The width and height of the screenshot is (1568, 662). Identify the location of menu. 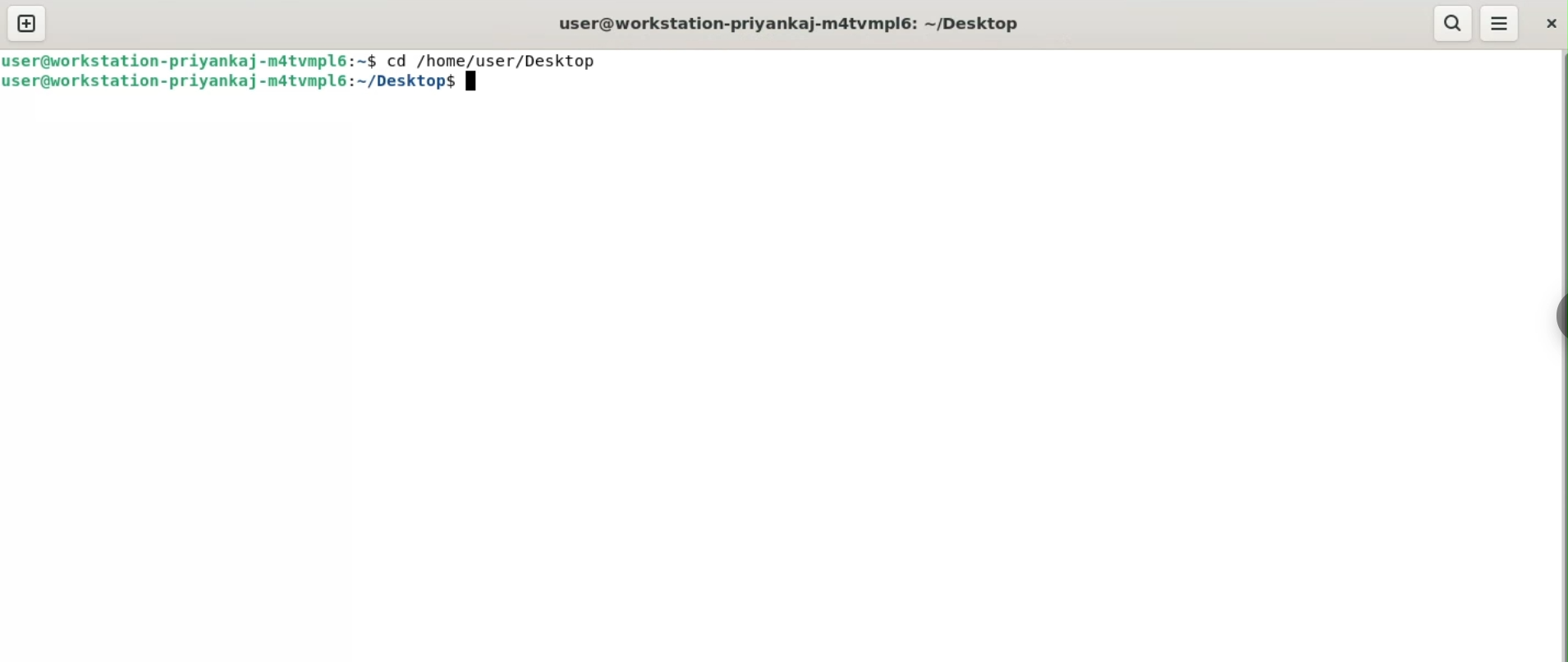
(1499, 23).